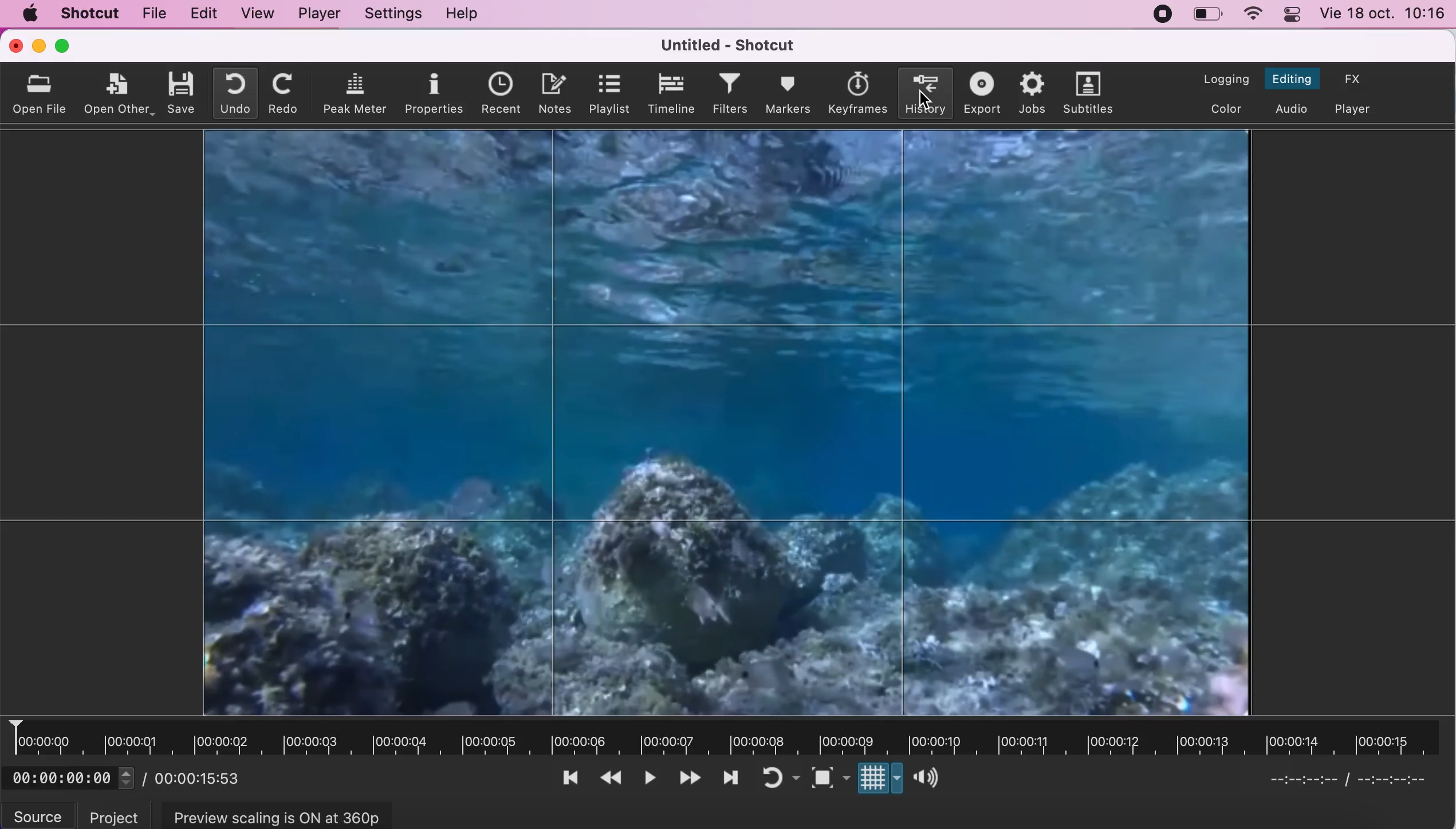 The image size is (1456, 829). Describe the element at coordinates (1426, 14) in the screenshot. I see `10:16` at that location.